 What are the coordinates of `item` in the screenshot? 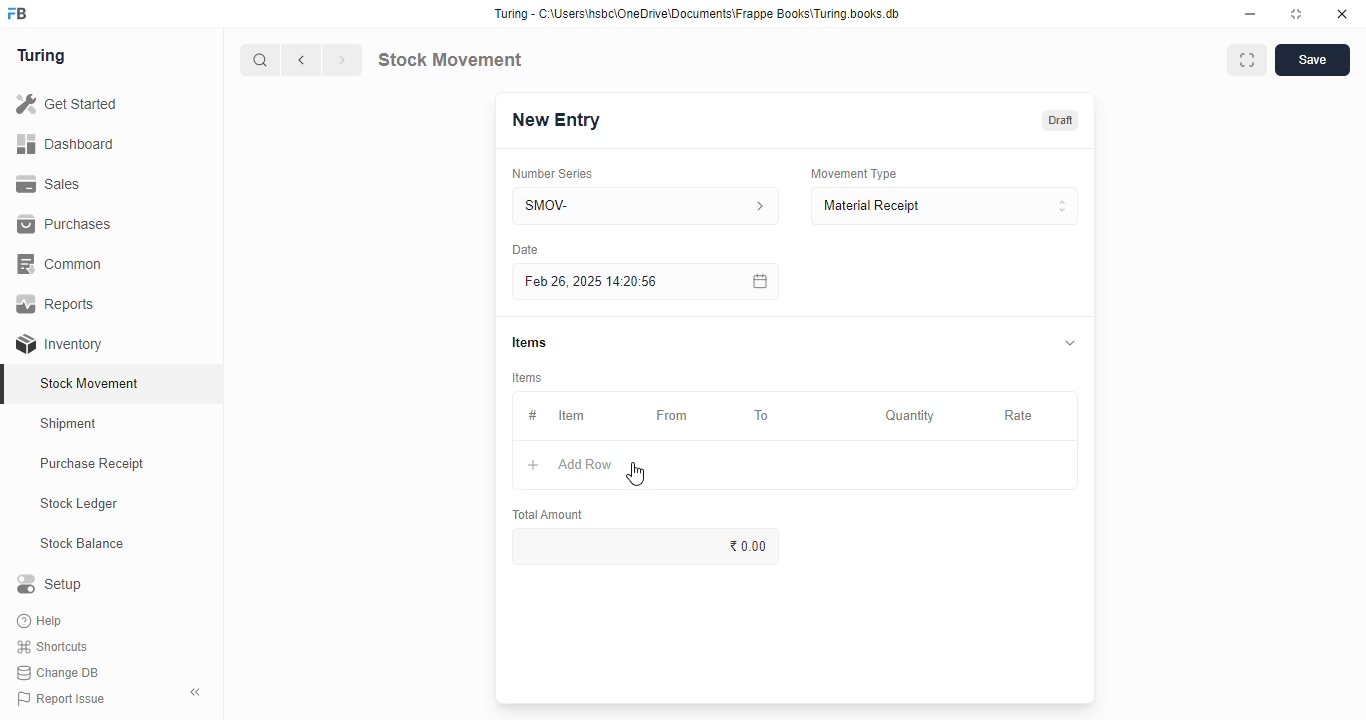 It's located at (571, 415).